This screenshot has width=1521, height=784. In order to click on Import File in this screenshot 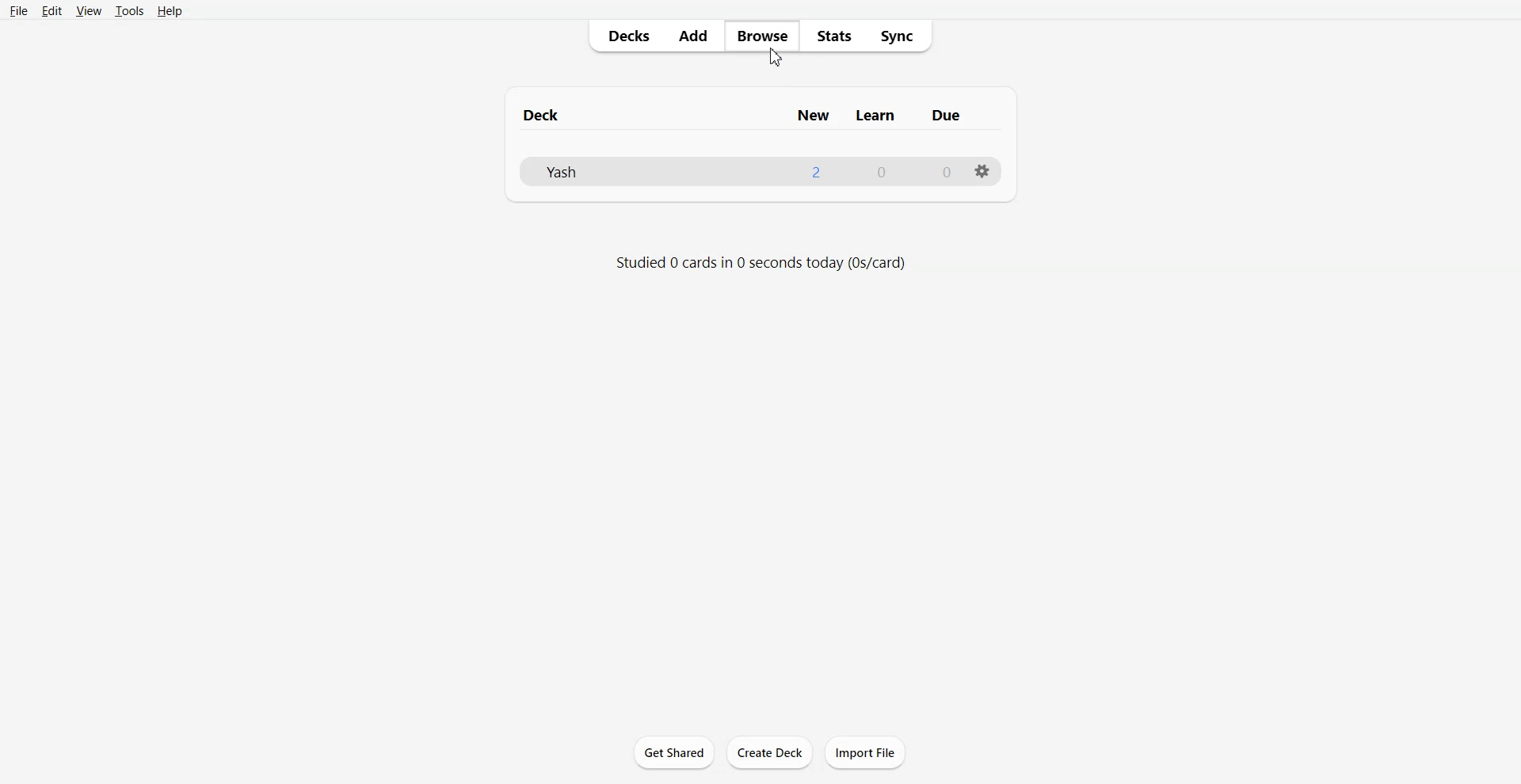, I will do `click(867, 752)`.